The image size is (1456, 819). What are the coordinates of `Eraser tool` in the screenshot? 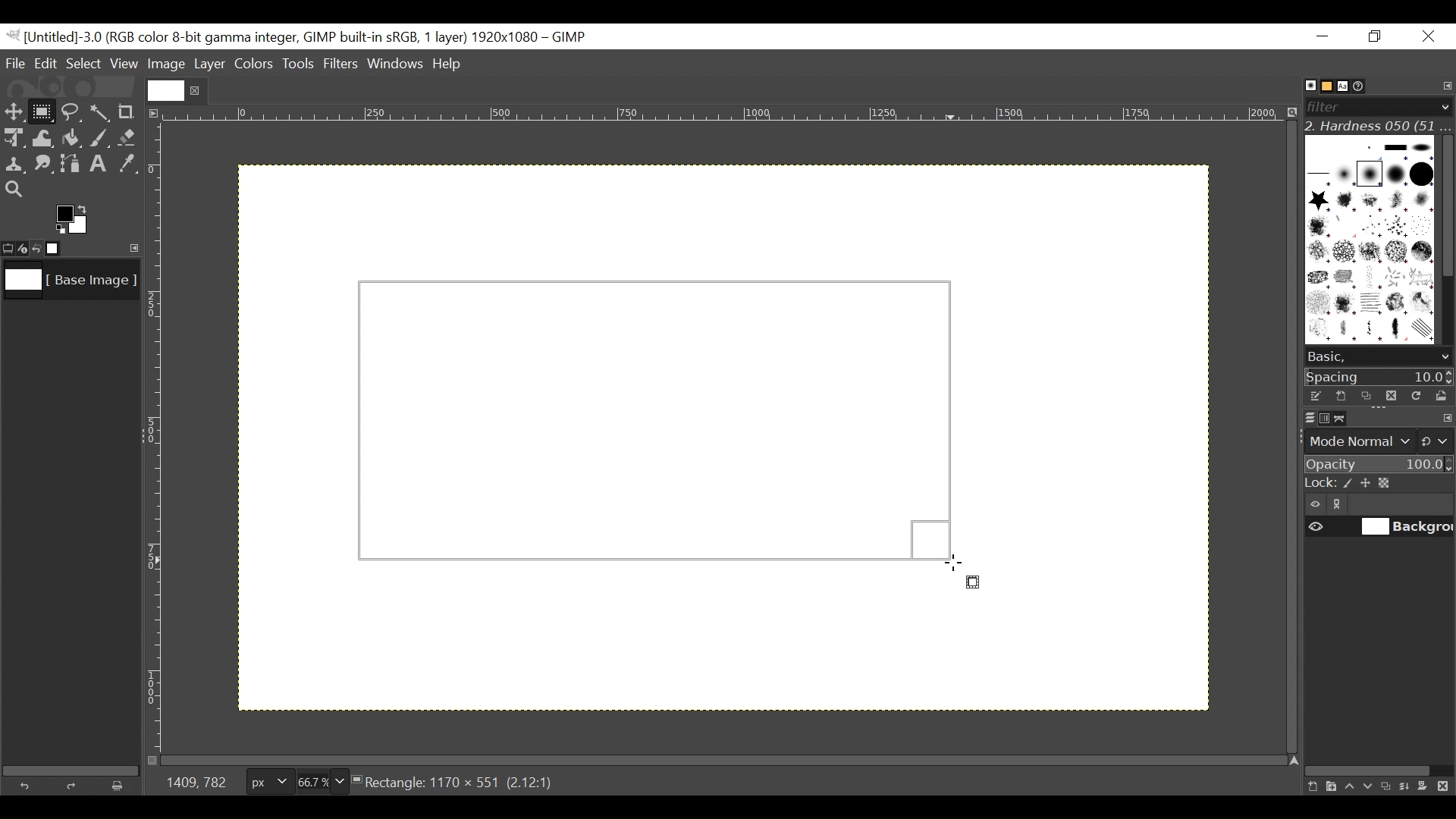 It's located at (129, 139).